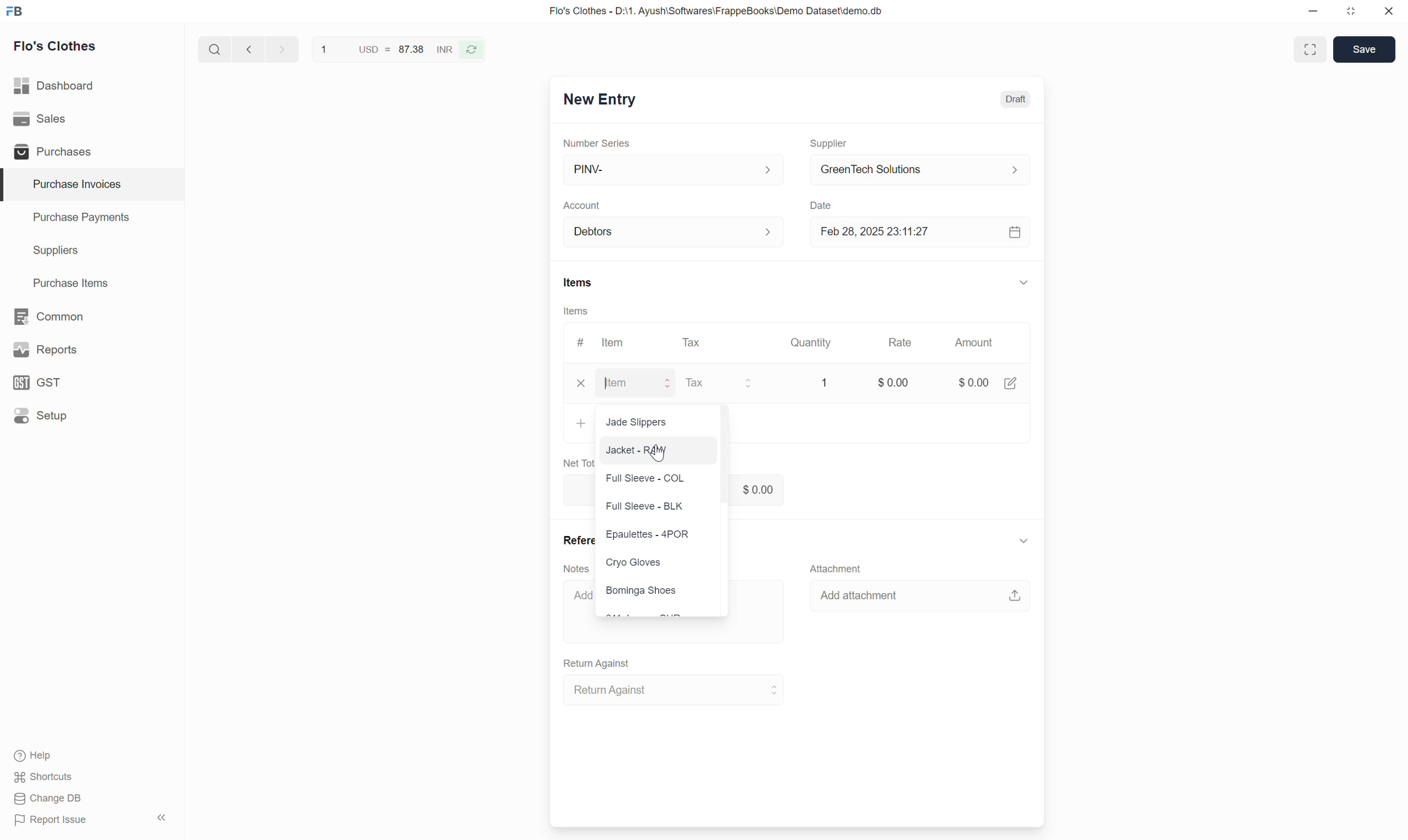 The width and height of the screenshot is (1408, 840). I want to click on Quantity, so click(811, 342).